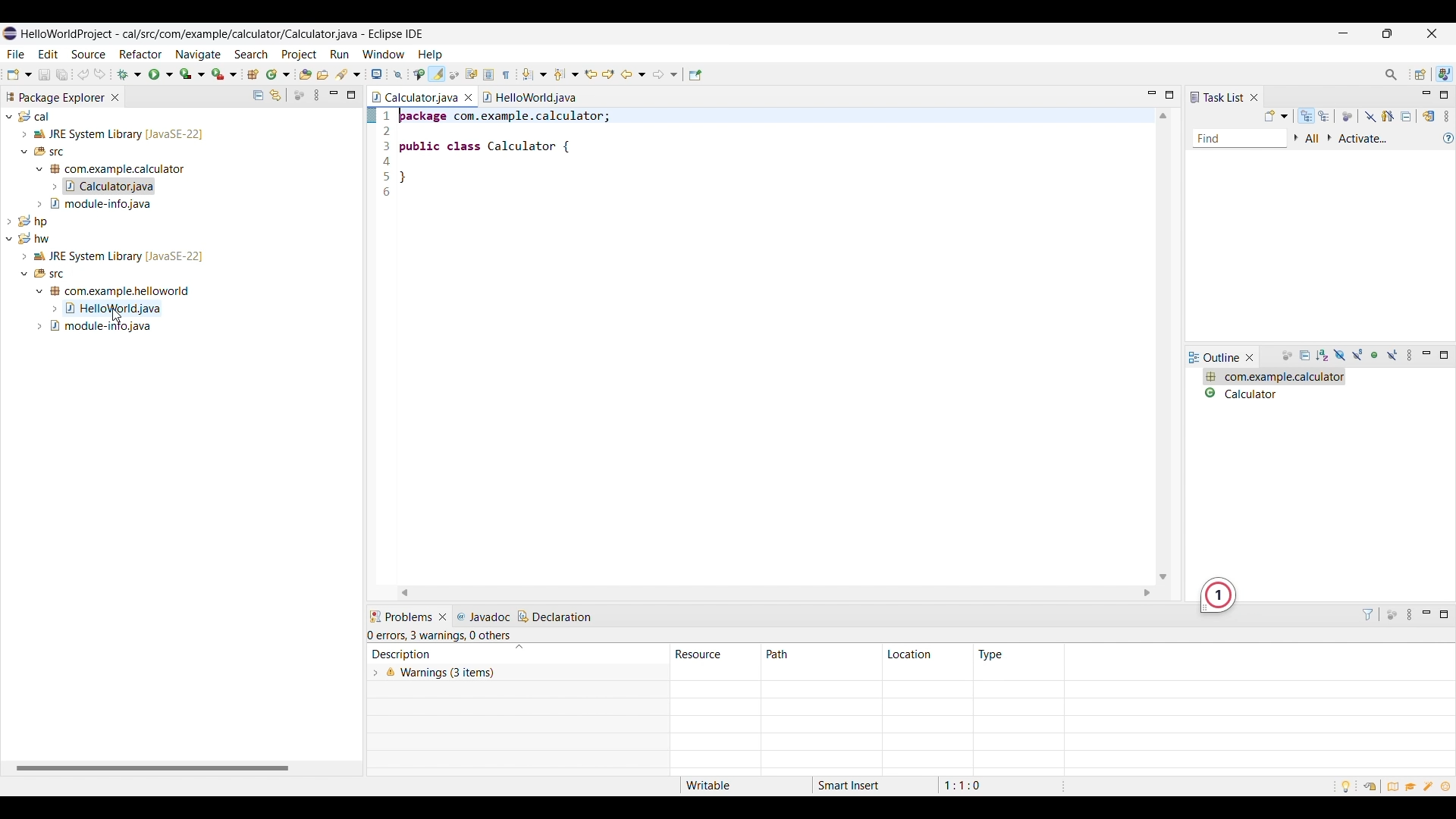 Image resolution: width=1456 pixels, height=819 pixels. Describe the element at coordinates (1370, 117) in the screenshot. I see `Hide completed tasks` at that location.